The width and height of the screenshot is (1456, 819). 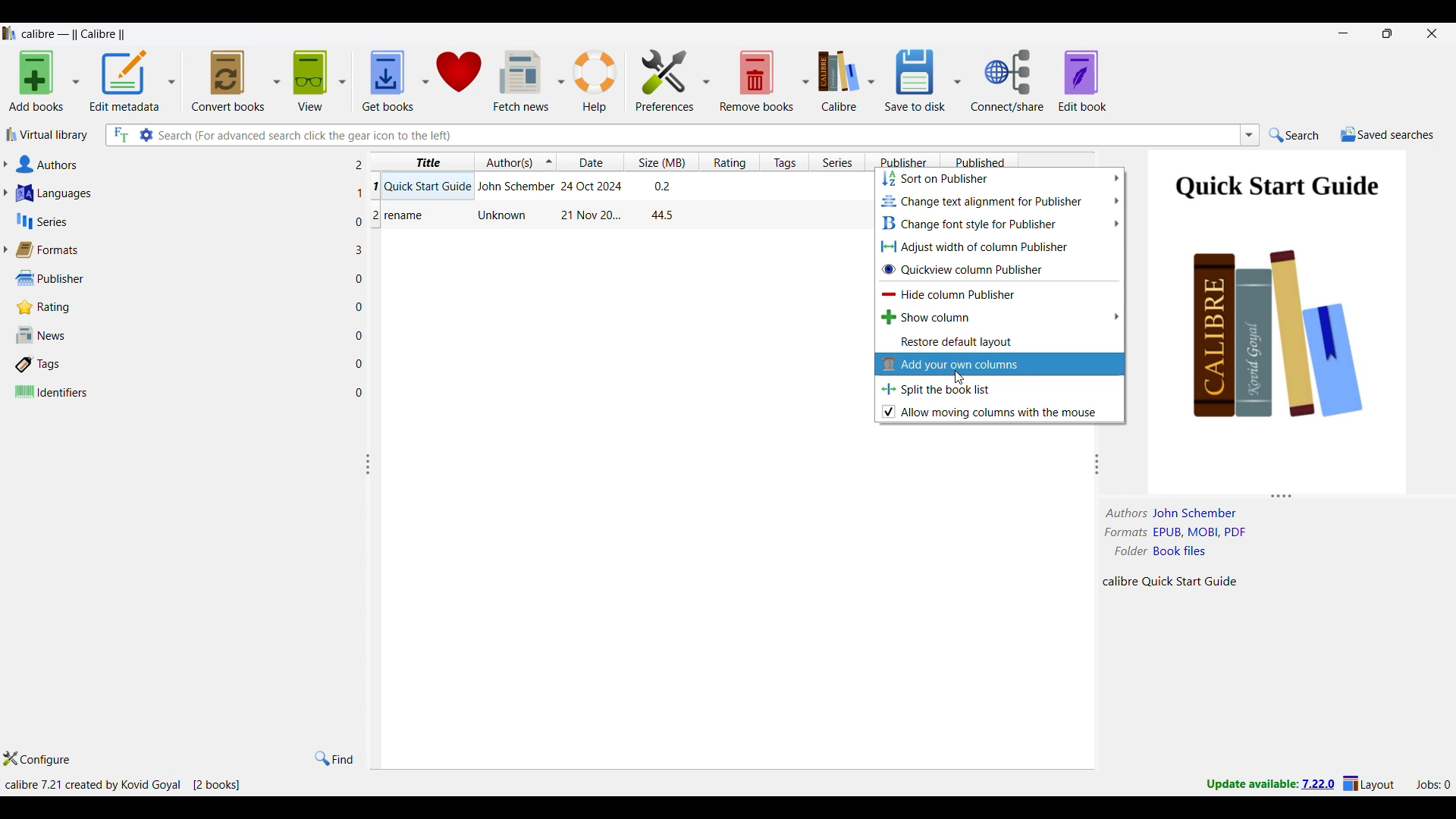 What do you see at coordinates (37, 758) in the screenshot?
I see `Configure` at bounding box center [37, 758].